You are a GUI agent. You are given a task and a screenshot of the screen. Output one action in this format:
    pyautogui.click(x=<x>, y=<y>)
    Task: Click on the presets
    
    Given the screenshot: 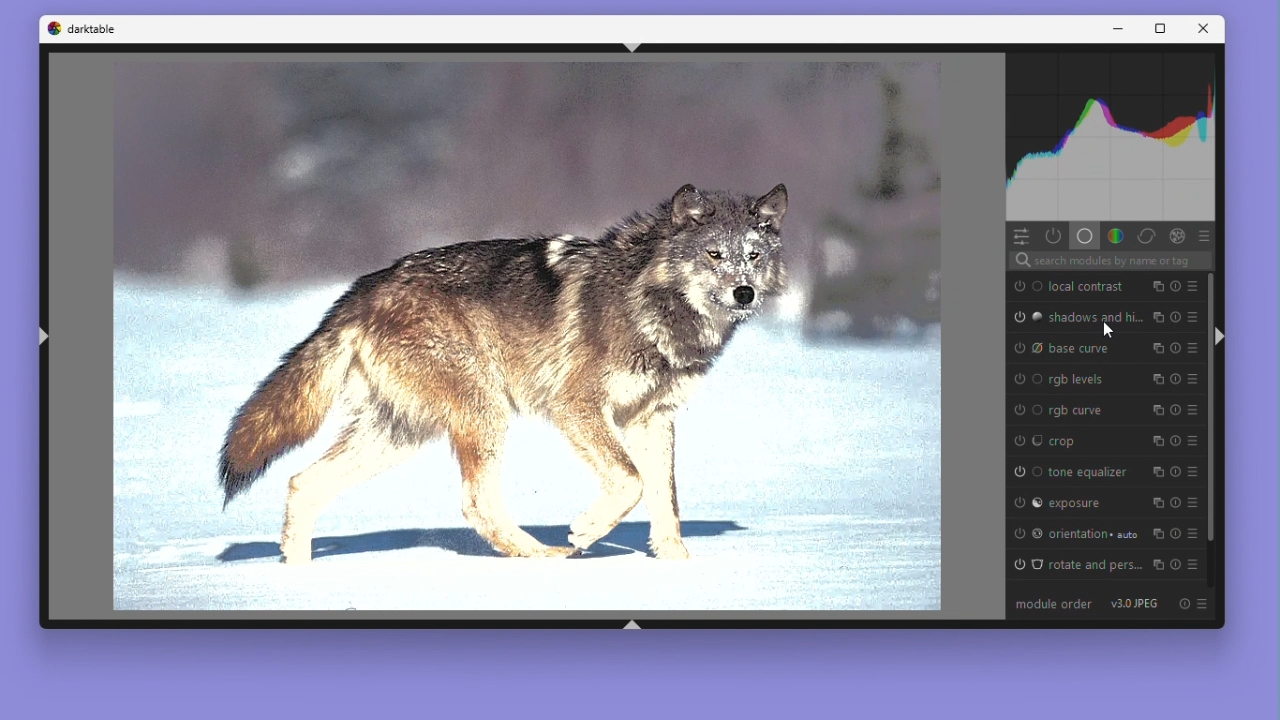 What is the action you would take?
    pyautogui.click(x=1193, y=380)
    